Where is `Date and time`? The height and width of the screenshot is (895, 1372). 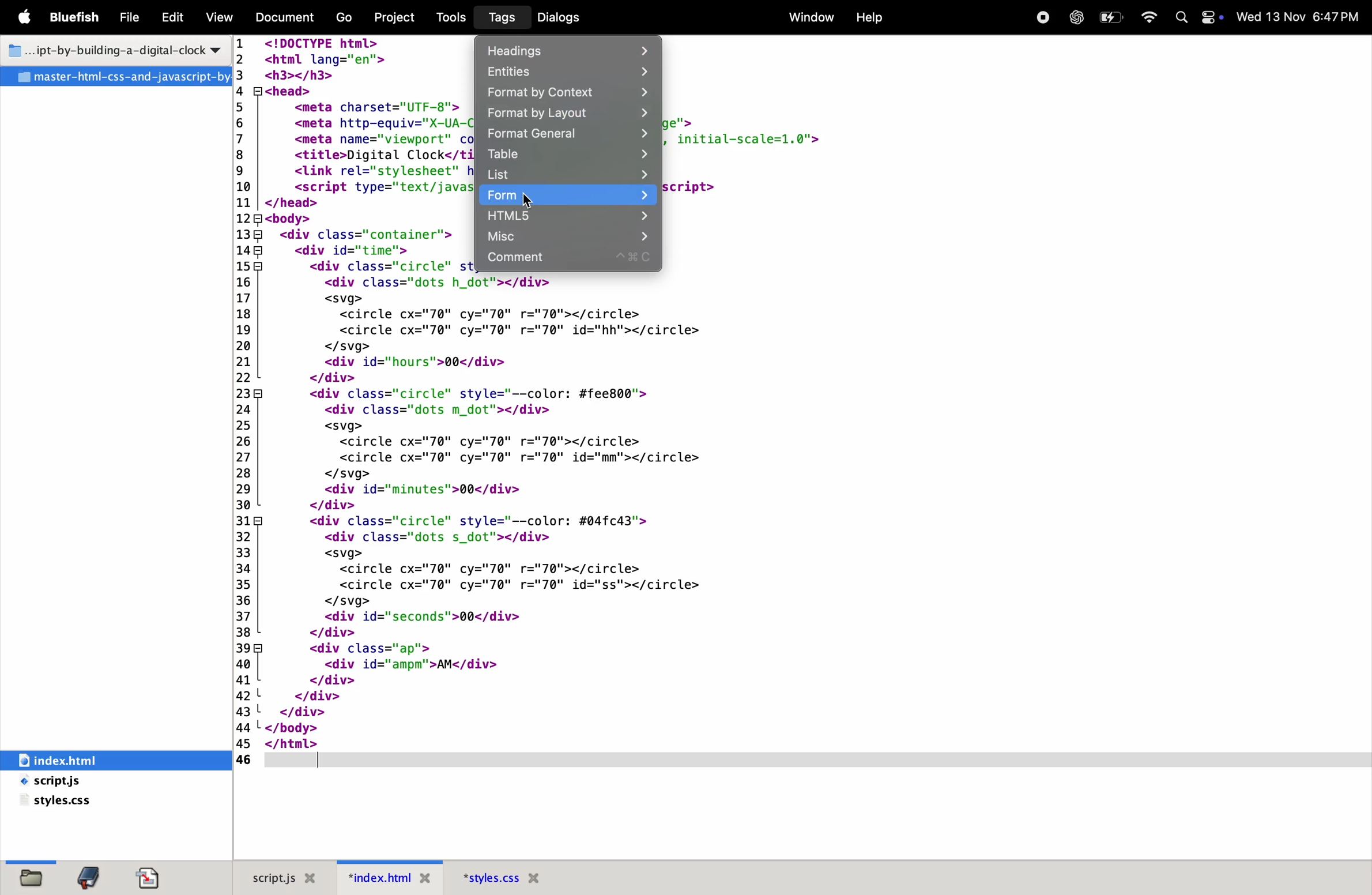 Date and time is located at coordinates (1302, 16).